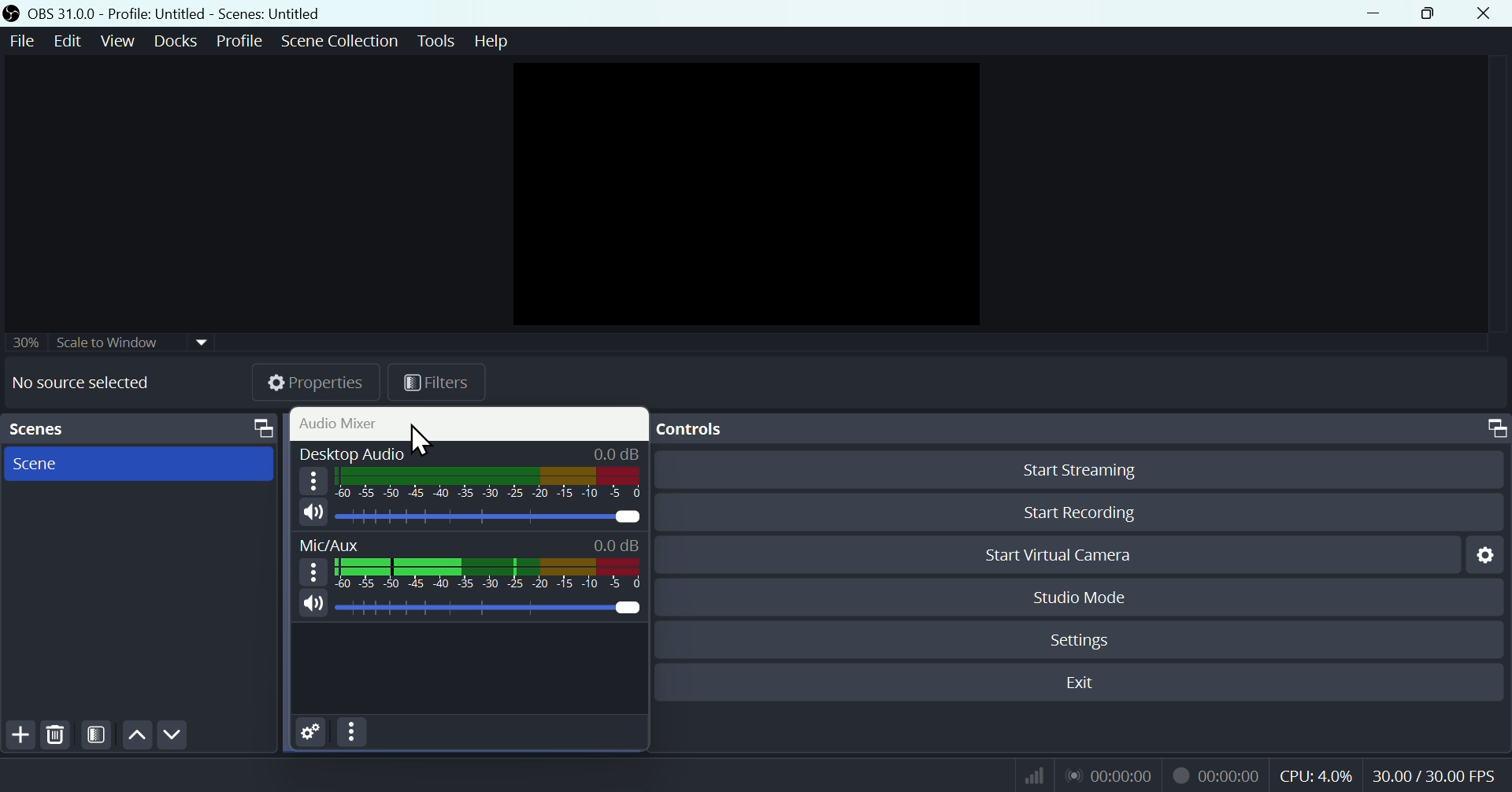 The height and width of the screenshot is (792, 1512). Describe the element at coordinates (97, 735) in the screenshot. I see `Contrast` at that location.